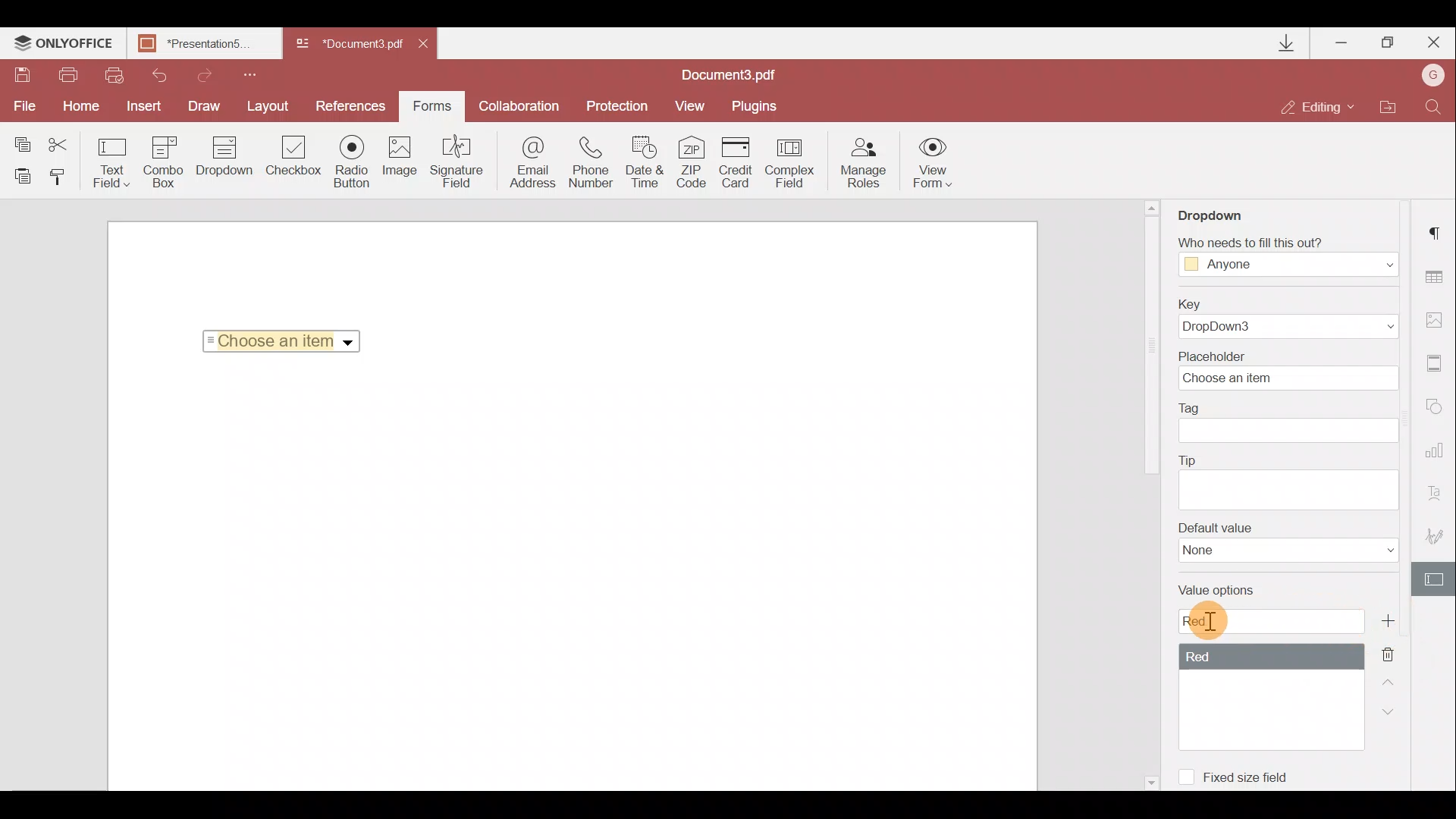 Image resolution: width=1456 pixels, height=819 pixels. What do you see at coordinates (1319, 108) in the screenshot?
I see `Editing mode` at bounding box center [1319, 108].